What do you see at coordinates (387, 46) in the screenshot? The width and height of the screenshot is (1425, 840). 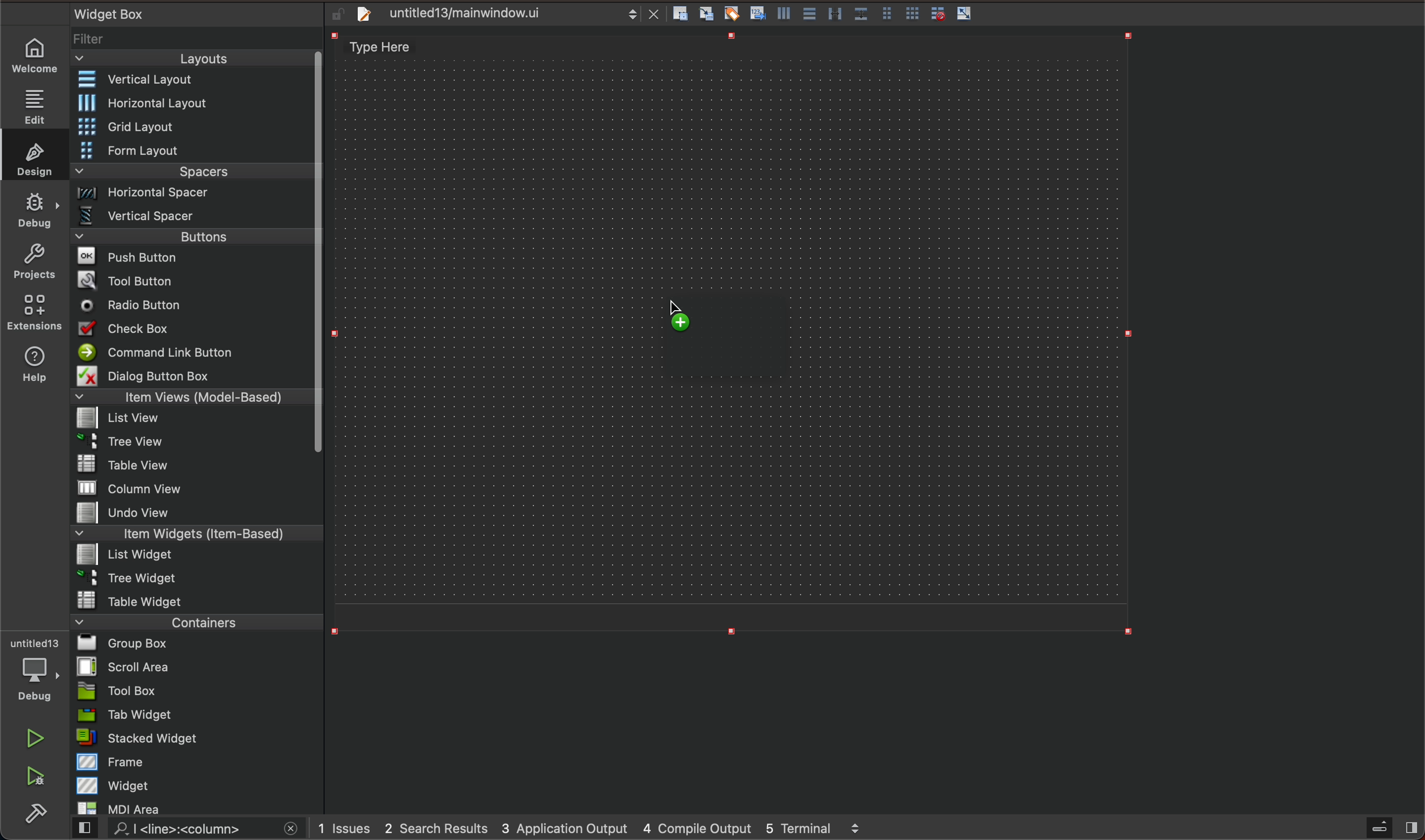 I see `text` at bounding box center [387, 46].